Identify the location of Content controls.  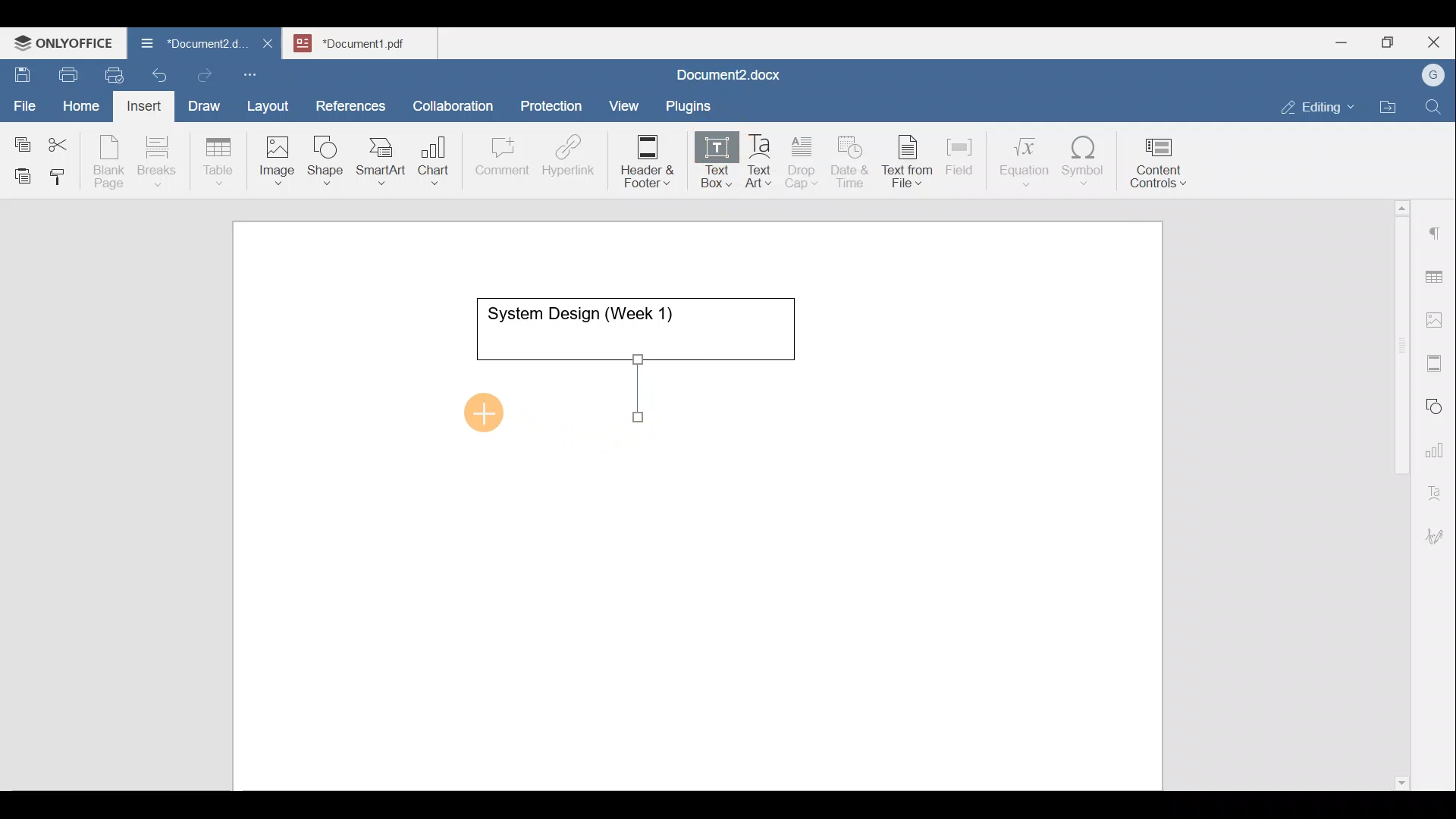
(1161, 168).